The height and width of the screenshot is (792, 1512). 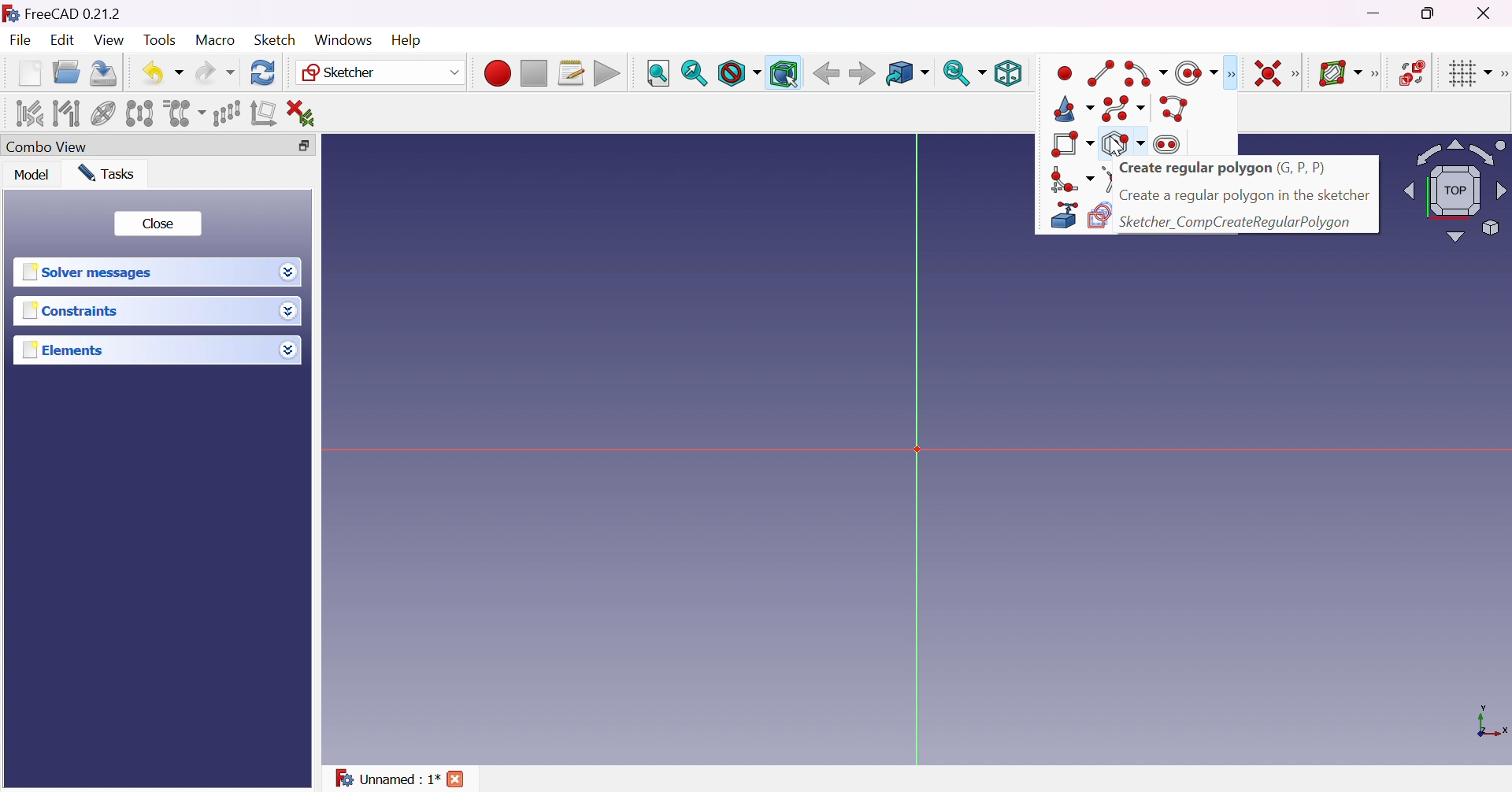 What do you see at coordinates (1489, 724) in the screenshot?
I see `x, y axis` at bounding box center [1489, 724].